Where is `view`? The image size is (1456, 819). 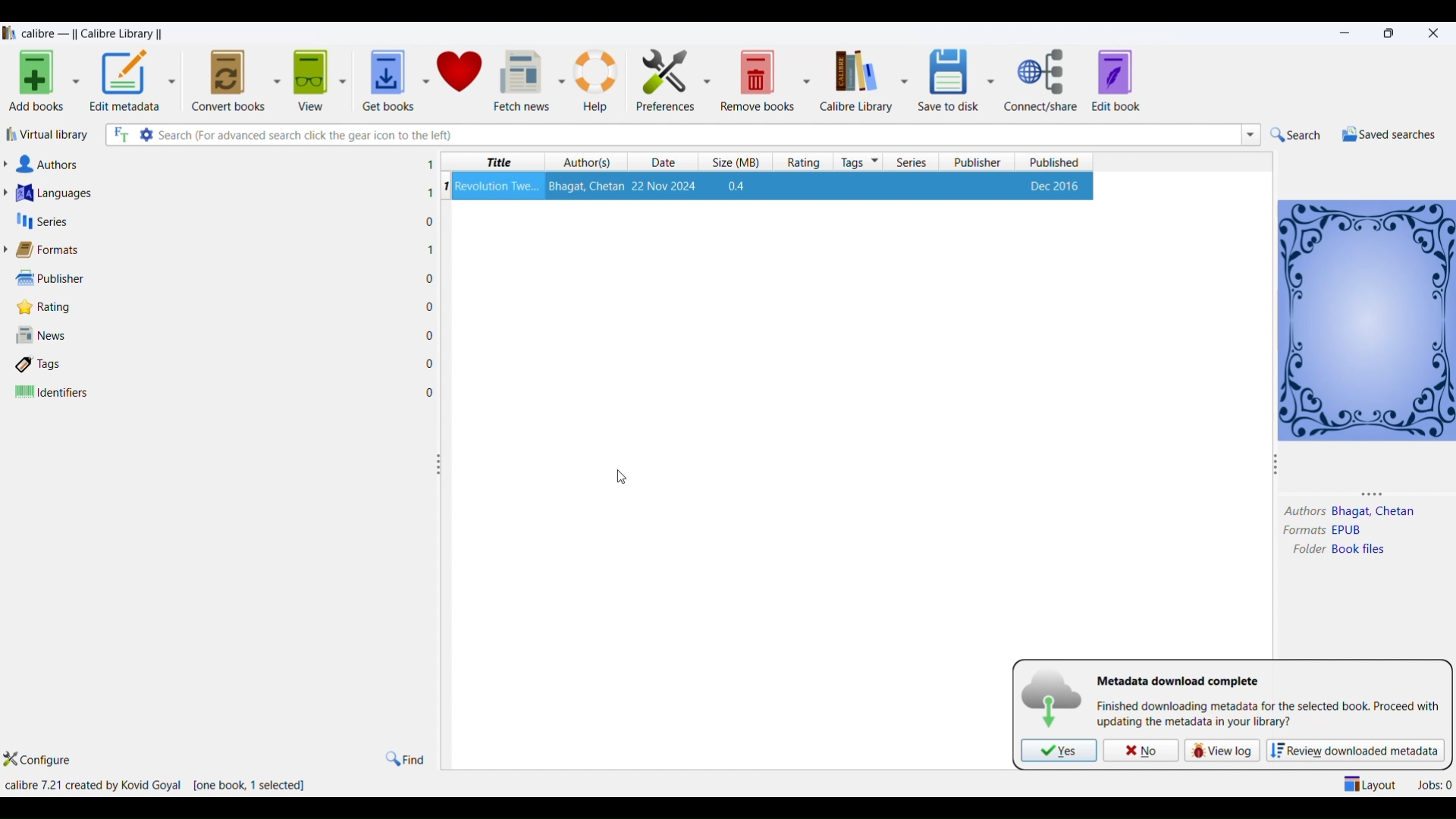 view is located at coordinates (308, 76).